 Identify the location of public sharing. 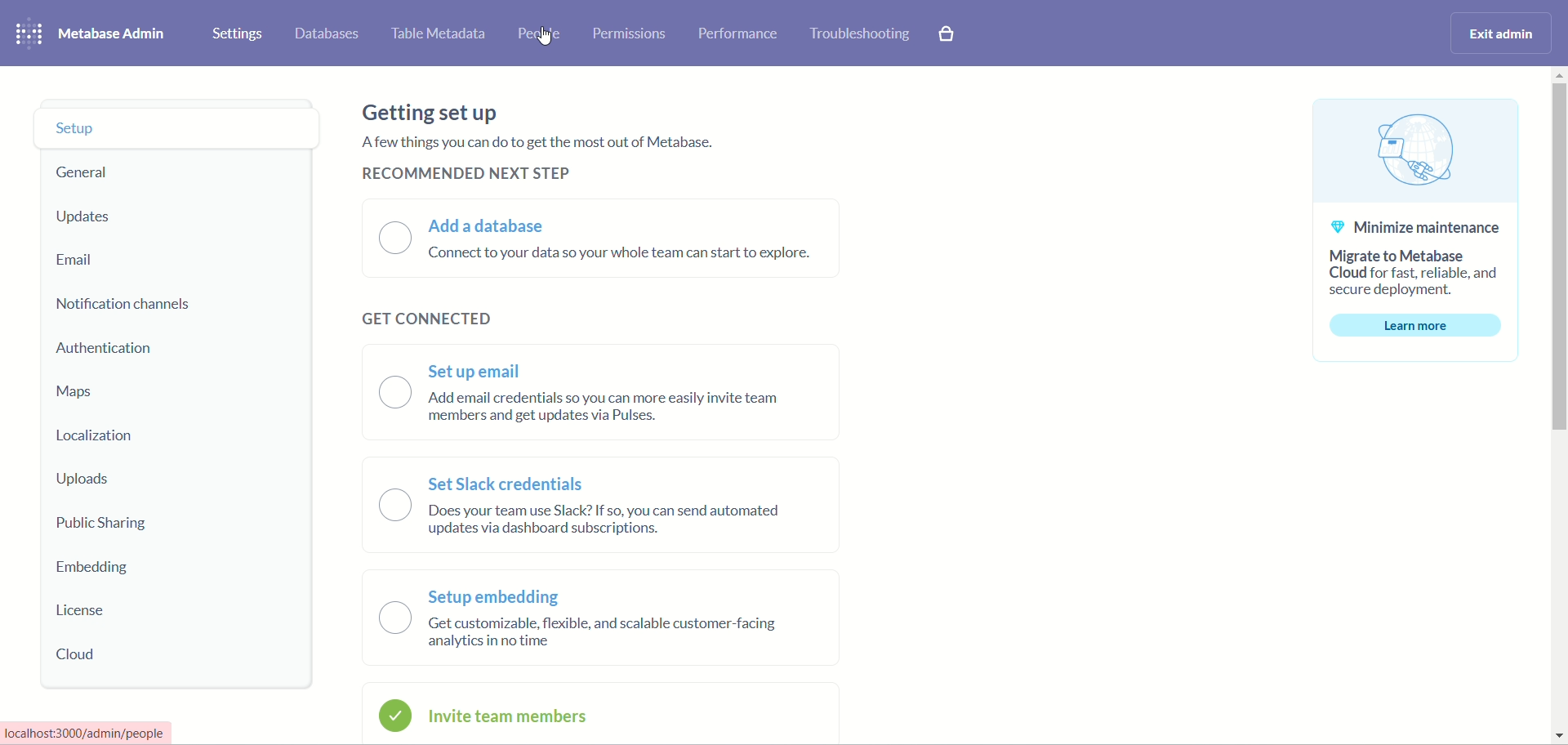
(105, 525).